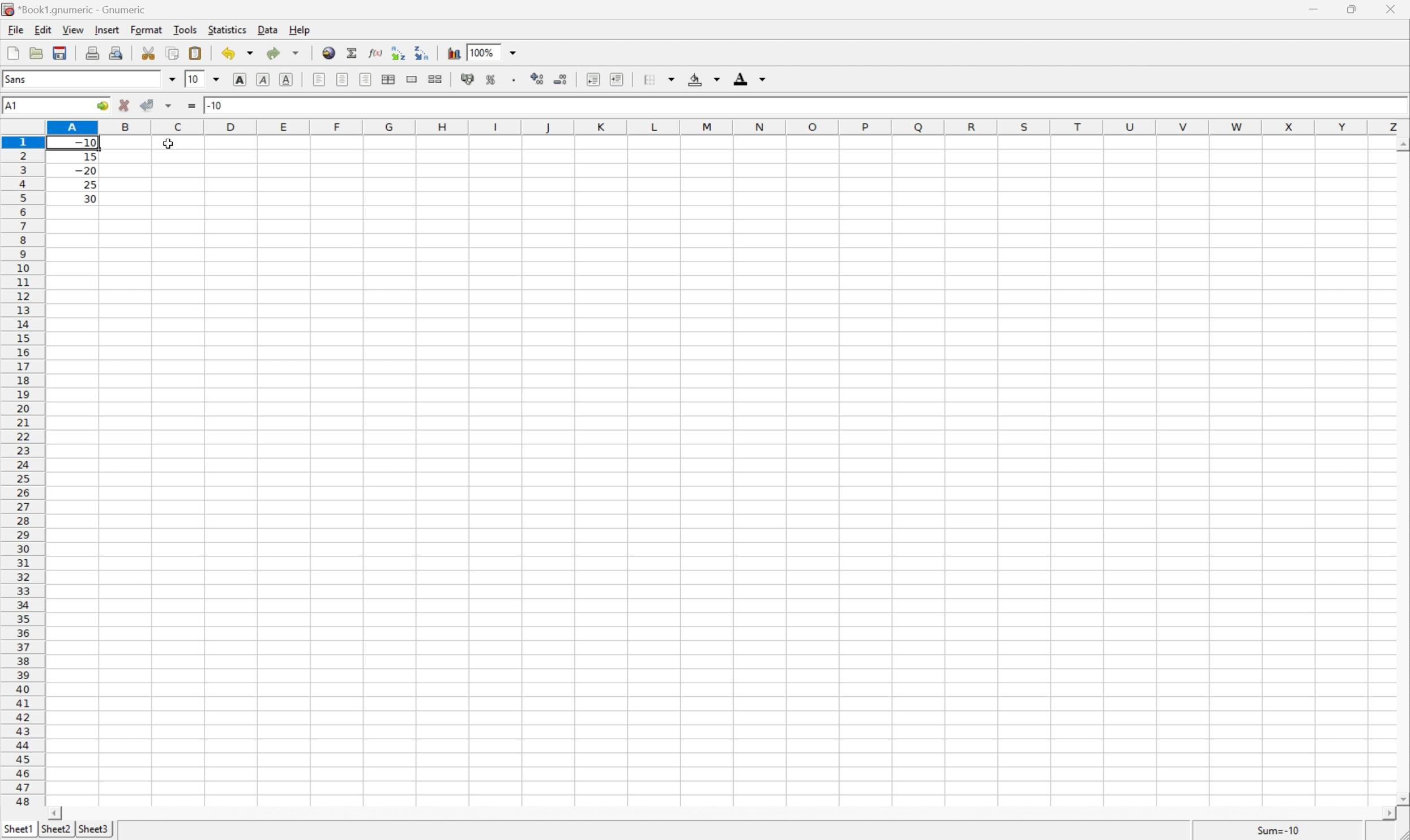 The image size is (1410, 840). Describe the element at coordinates (1401, 144) in the screenshot. I see `Scroll up` at that location.